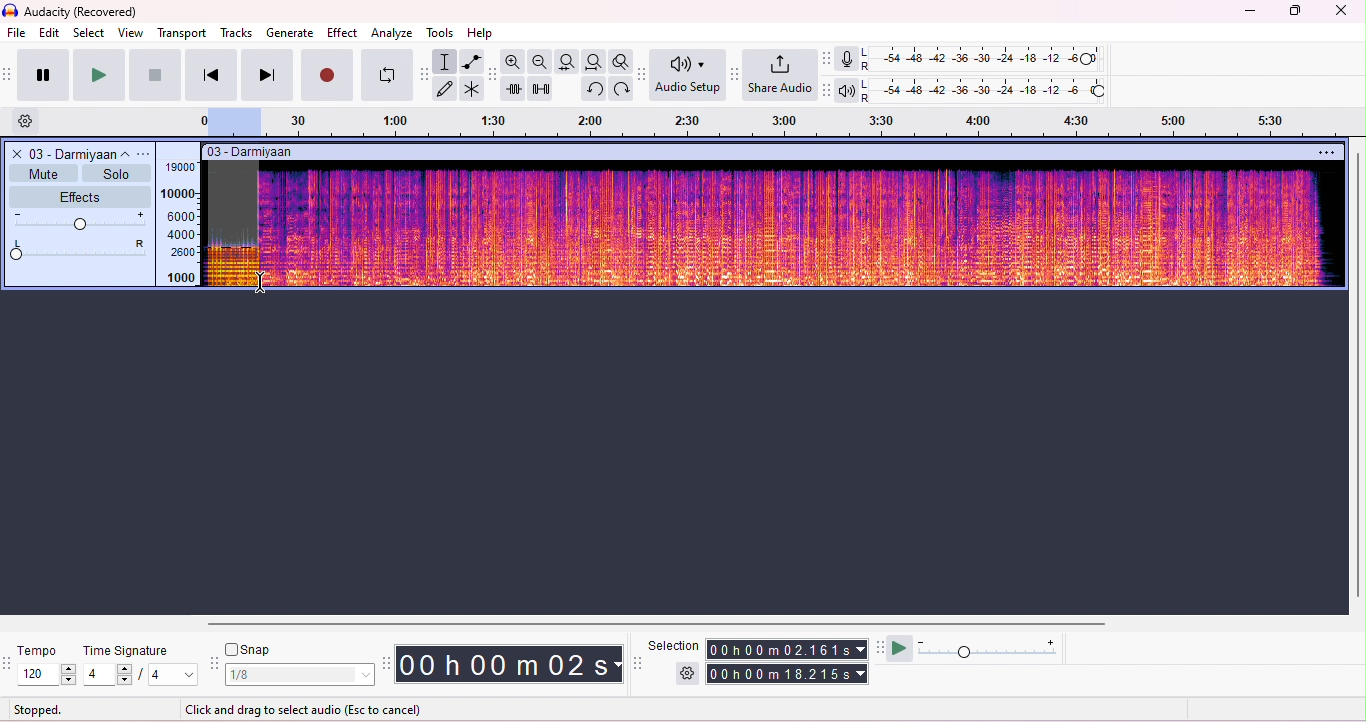 The height and width of the screenshot is (722, 1366). What do you see at coordinates (736, 74) in the screenshot?
I see `share audio tool bar` at bounding box center [736, 74].